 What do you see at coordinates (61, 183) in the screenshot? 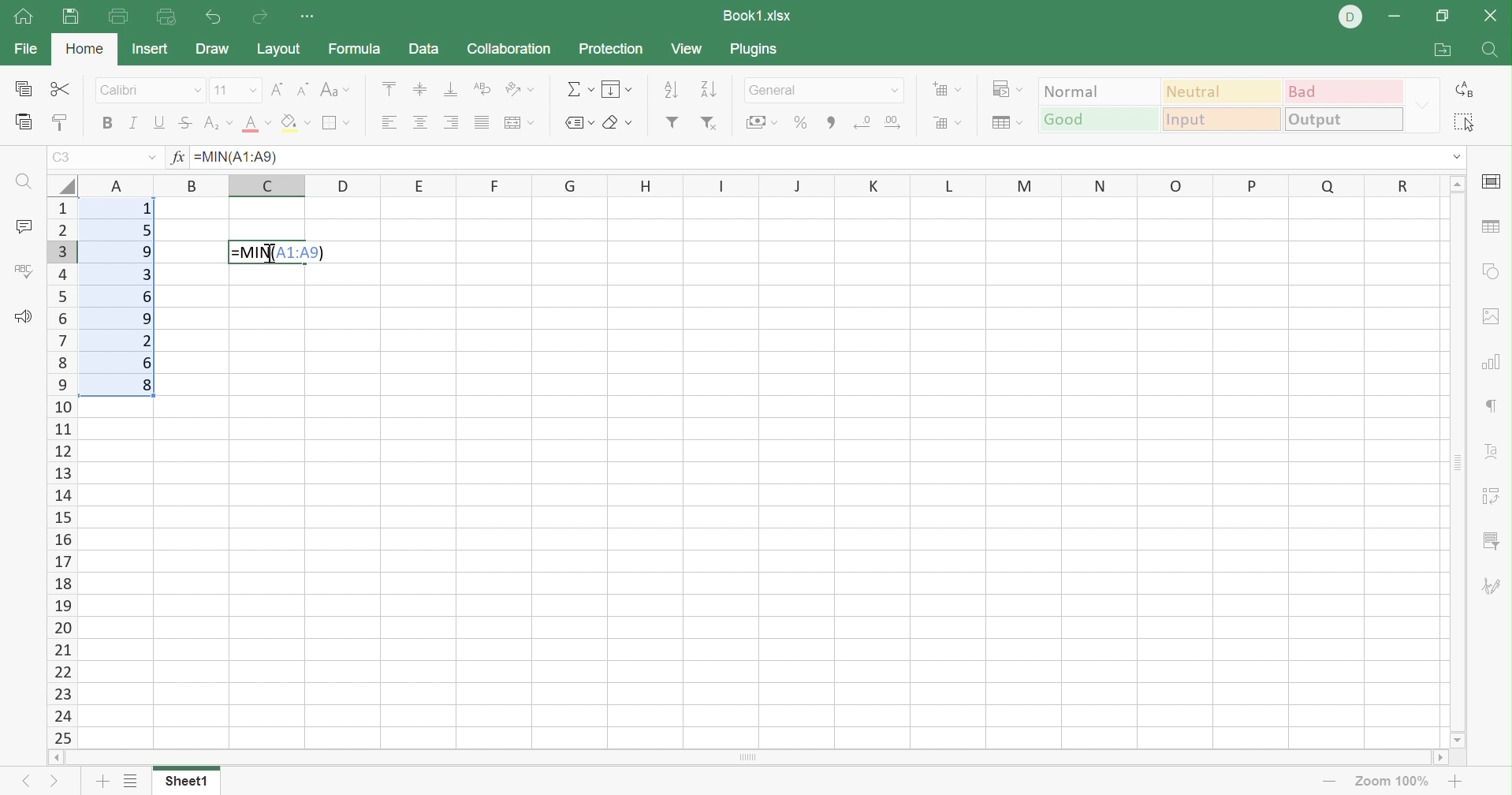
I see `select all cells` at bounding box center [61, 183].